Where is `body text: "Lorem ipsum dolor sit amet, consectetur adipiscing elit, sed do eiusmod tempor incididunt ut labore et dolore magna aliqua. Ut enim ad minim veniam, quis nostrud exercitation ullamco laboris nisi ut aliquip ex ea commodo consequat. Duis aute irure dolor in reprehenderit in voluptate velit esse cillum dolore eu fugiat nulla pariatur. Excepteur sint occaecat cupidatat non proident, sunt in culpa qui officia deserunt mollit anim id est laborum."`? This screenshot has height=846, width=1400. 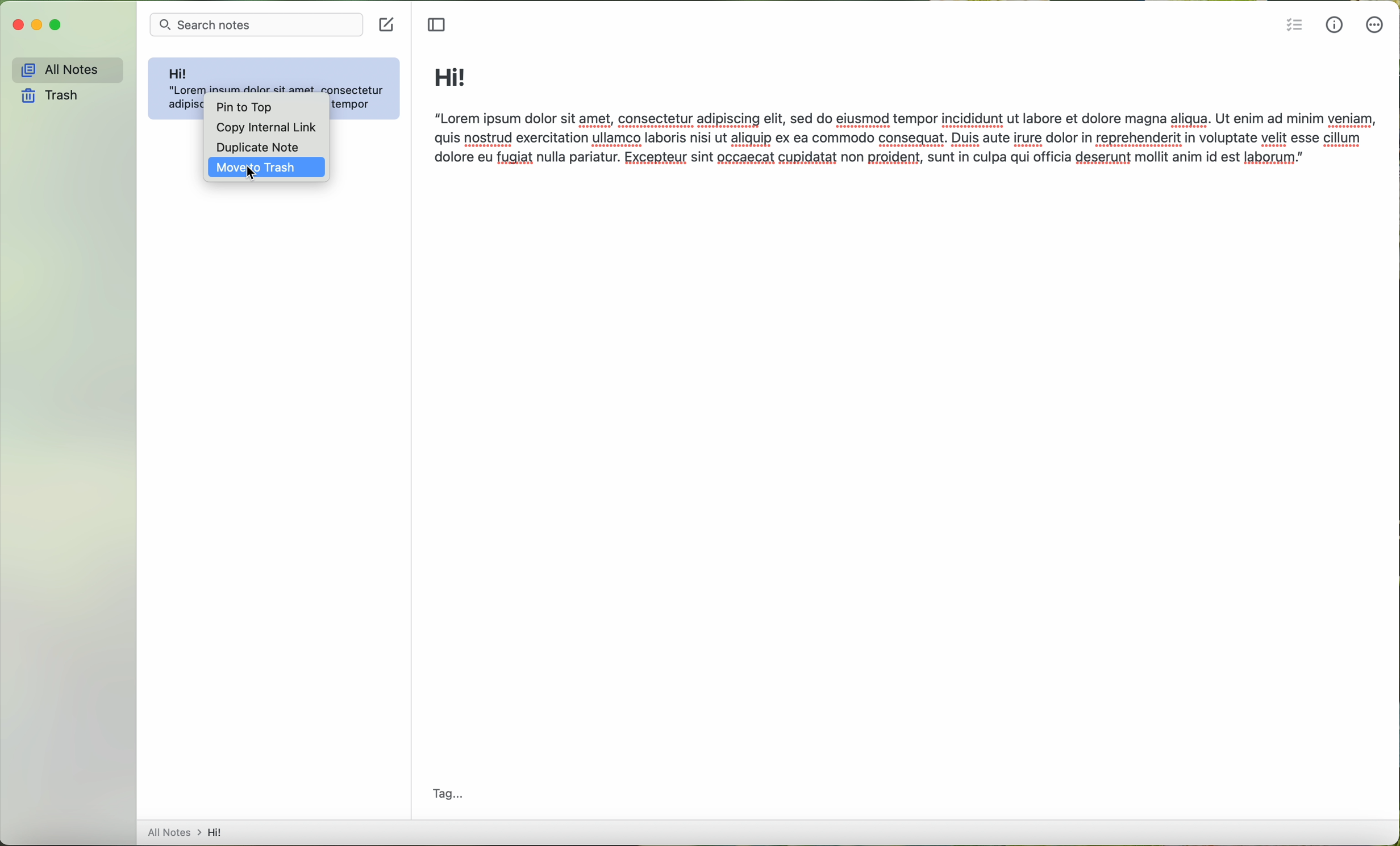 body text: "Lorem ipsum dolor sit amet, consectetur adipiscing elit, sed do eiusmod tempor incididunt ut labore et dolore magna aliqua. Ut enim ad minim veniam, quis nostrud exercitation ullamco laboris nisi ut aliquip ex ea commodo consequat. Duis aute irure dolor in reprehenderit in voluptate velit esse cillum dolore eu fugiat nulla pariatur. Excepteur sint occaecat cupidatat non proident, sunt in culpa qui officia deserunt mollit anim id est laborum." is located at coordinates (906, 143).